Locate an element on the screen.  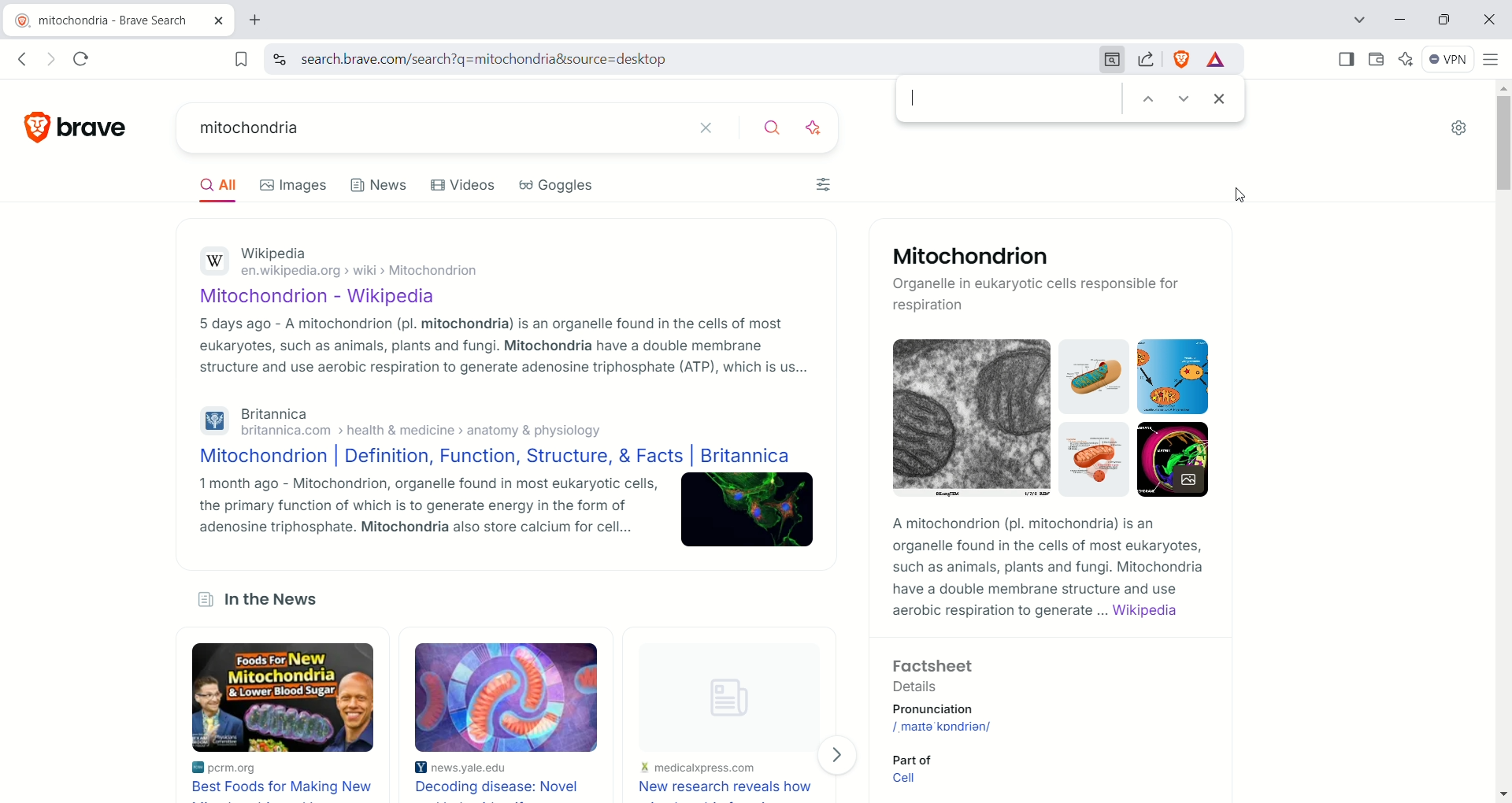
aerobic respiration to generate ... is located at coordinates (1001, 612).